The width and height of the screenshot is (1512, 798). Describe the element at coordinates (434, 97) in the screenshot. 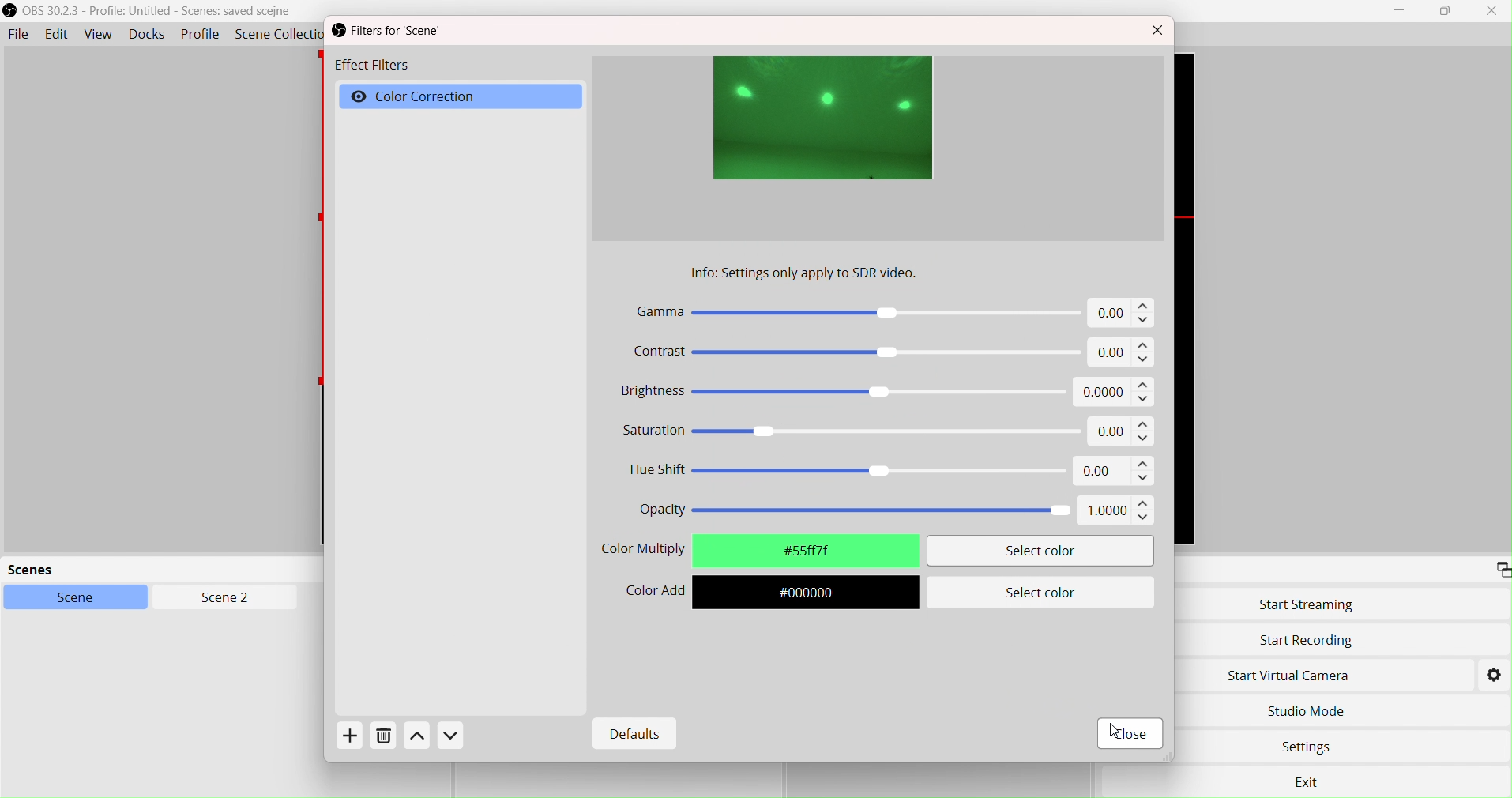

I see `Color Correction` at that location.